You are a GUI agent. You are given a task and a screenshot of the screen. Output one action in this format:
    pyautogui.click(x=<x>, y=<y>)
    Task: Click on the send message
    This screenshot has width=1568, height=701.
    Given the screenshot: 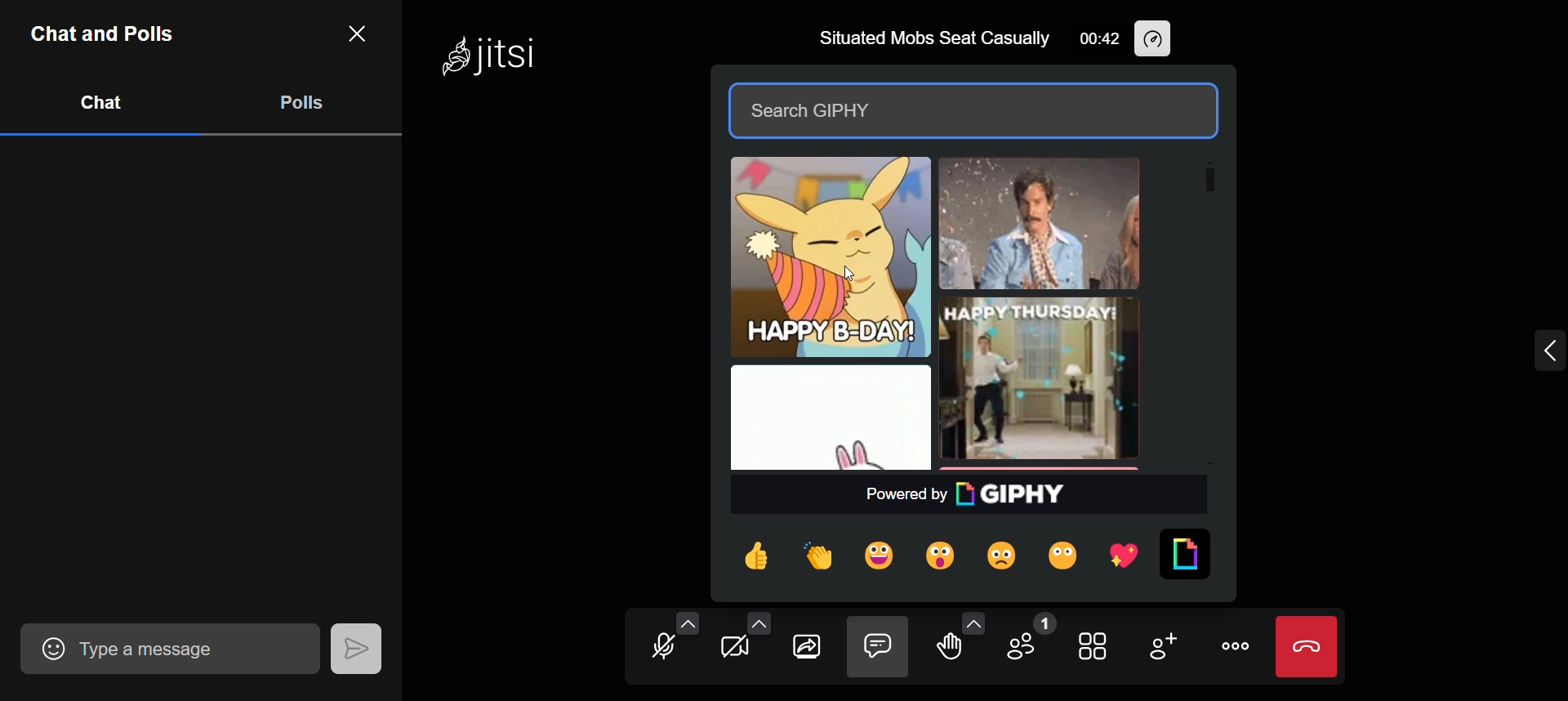 What is the action you would take?
    pyautogui.click(x=354, y=645)
    